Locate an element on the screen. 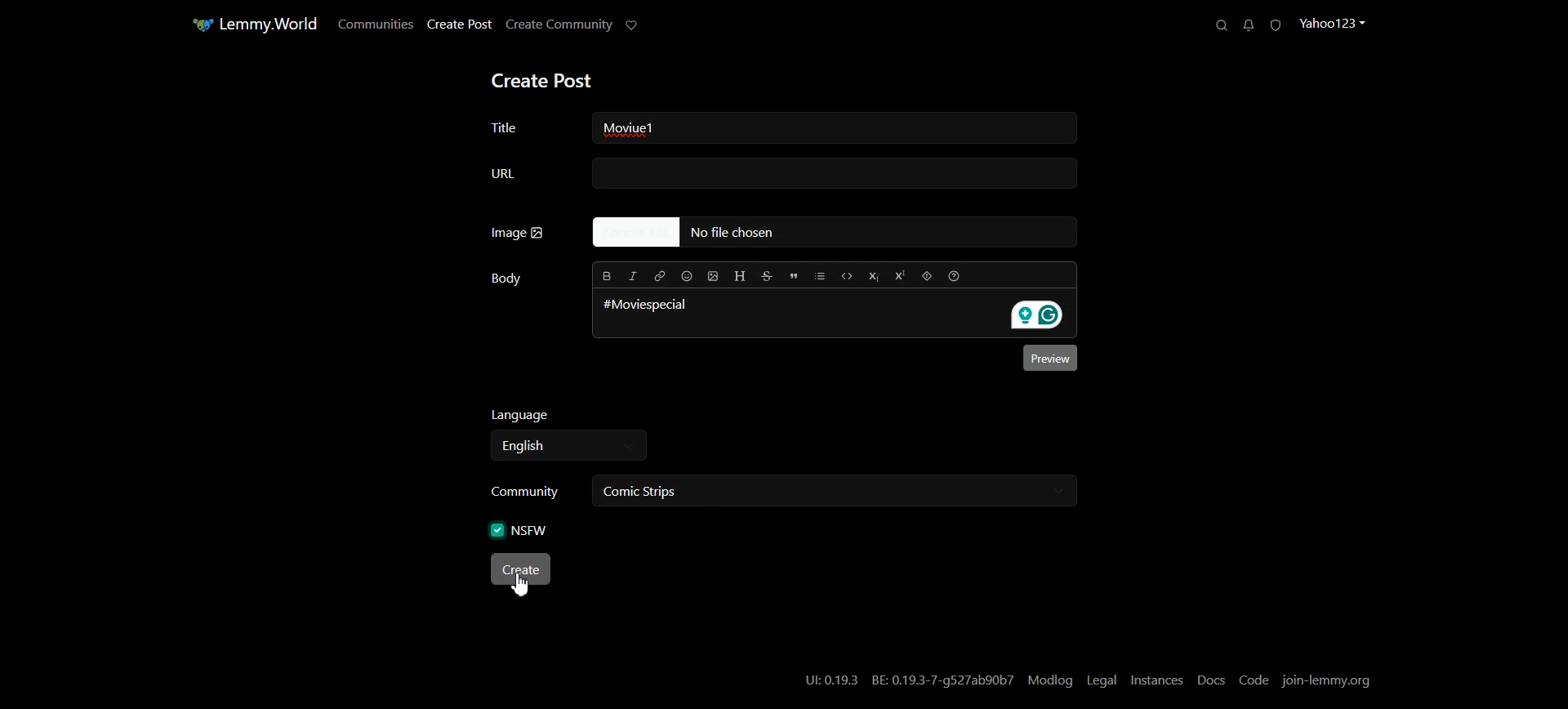 The image size is (1568, 709). URL is located at coordinates (780, 174).